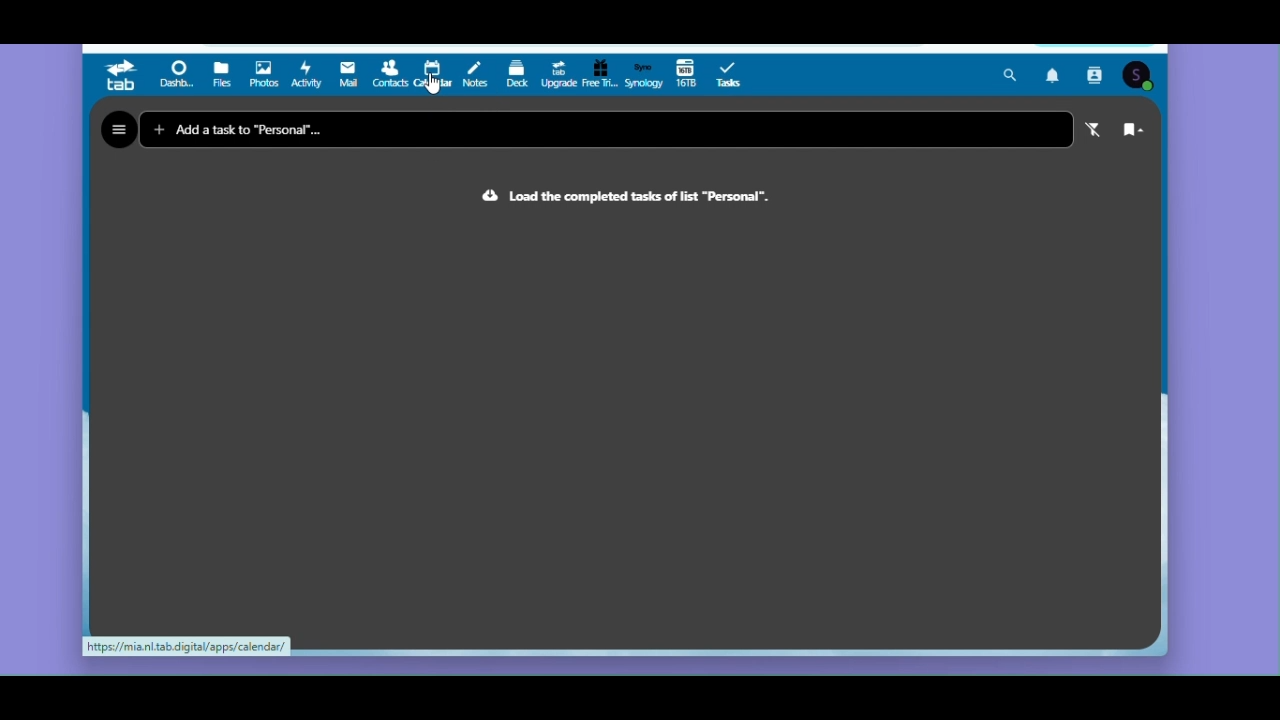  What do you see at coordinates (389, 76) in the screenshot?
I see `Contacts` at bounding box center [389, 76].